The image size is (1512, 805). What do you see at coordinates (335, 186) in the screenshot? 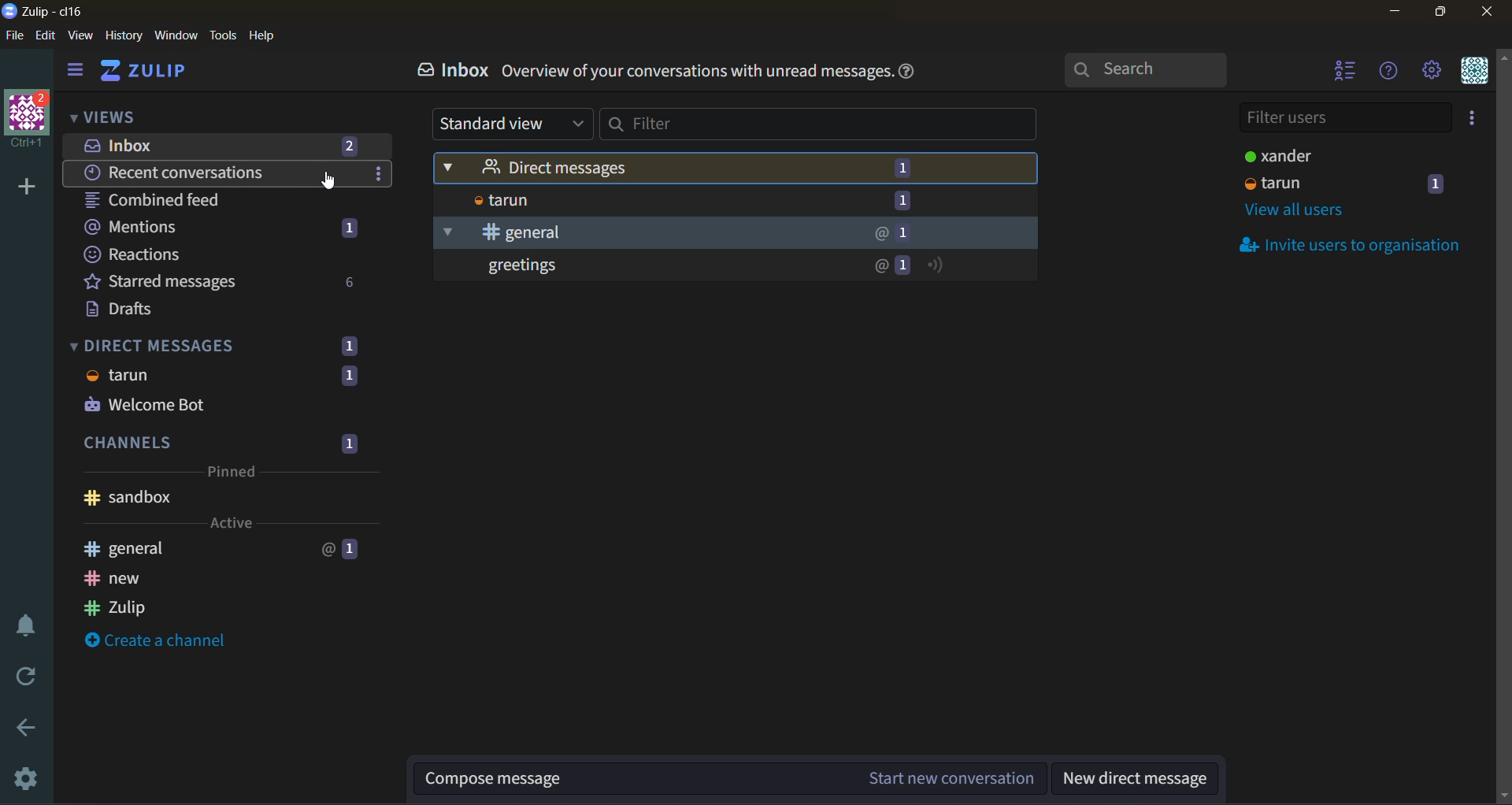
I see `Cursor` at bounding box center [335, 186].